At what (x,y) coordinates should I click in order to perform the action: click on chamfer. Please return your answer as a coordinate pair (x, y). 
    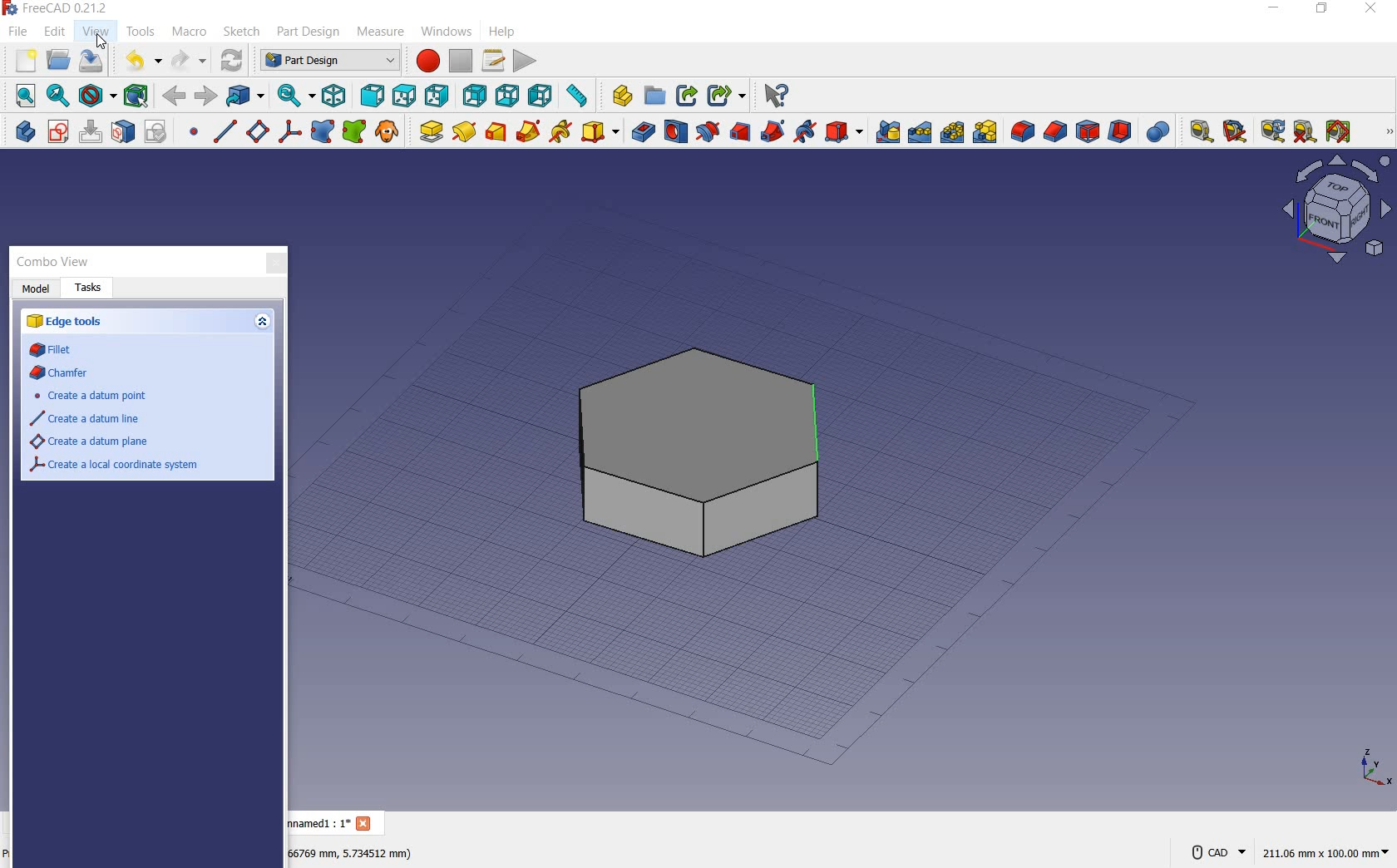
    Looking at the image, I should click on (62, 374).